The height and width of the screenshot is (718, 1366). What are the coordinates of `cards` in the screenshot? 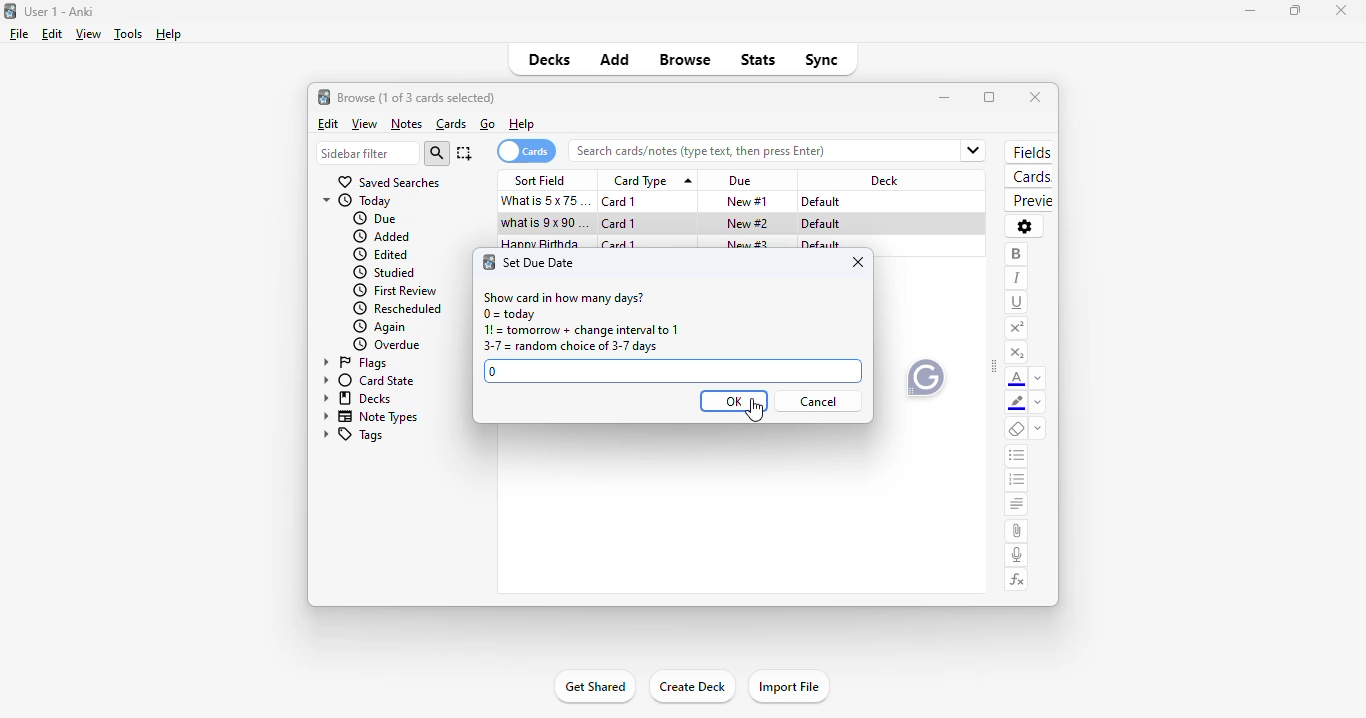 It's located at (1030, 176).